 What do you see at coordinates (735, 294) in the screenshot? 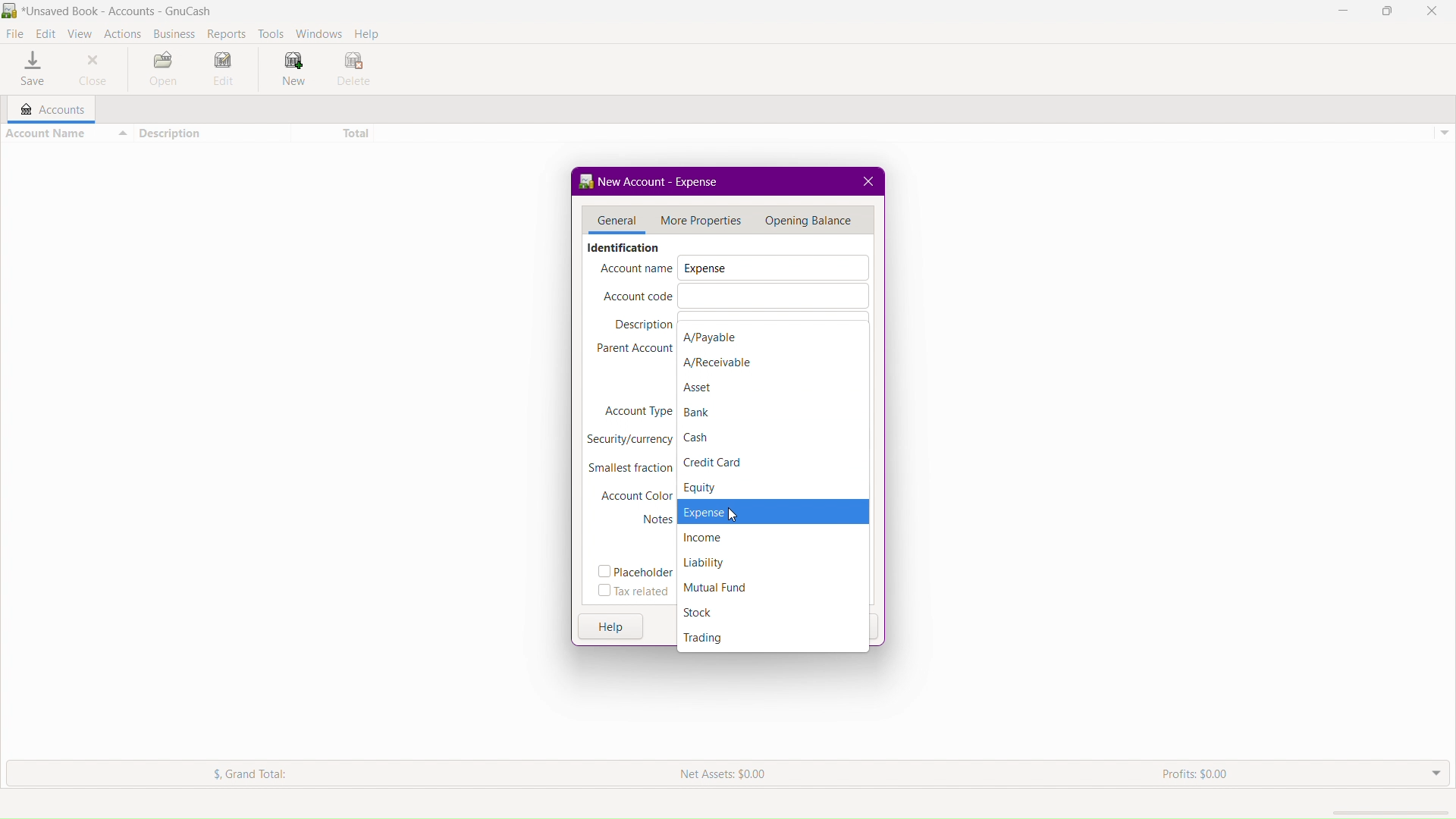
I see `Account Code` at bounding box center [735, 294].